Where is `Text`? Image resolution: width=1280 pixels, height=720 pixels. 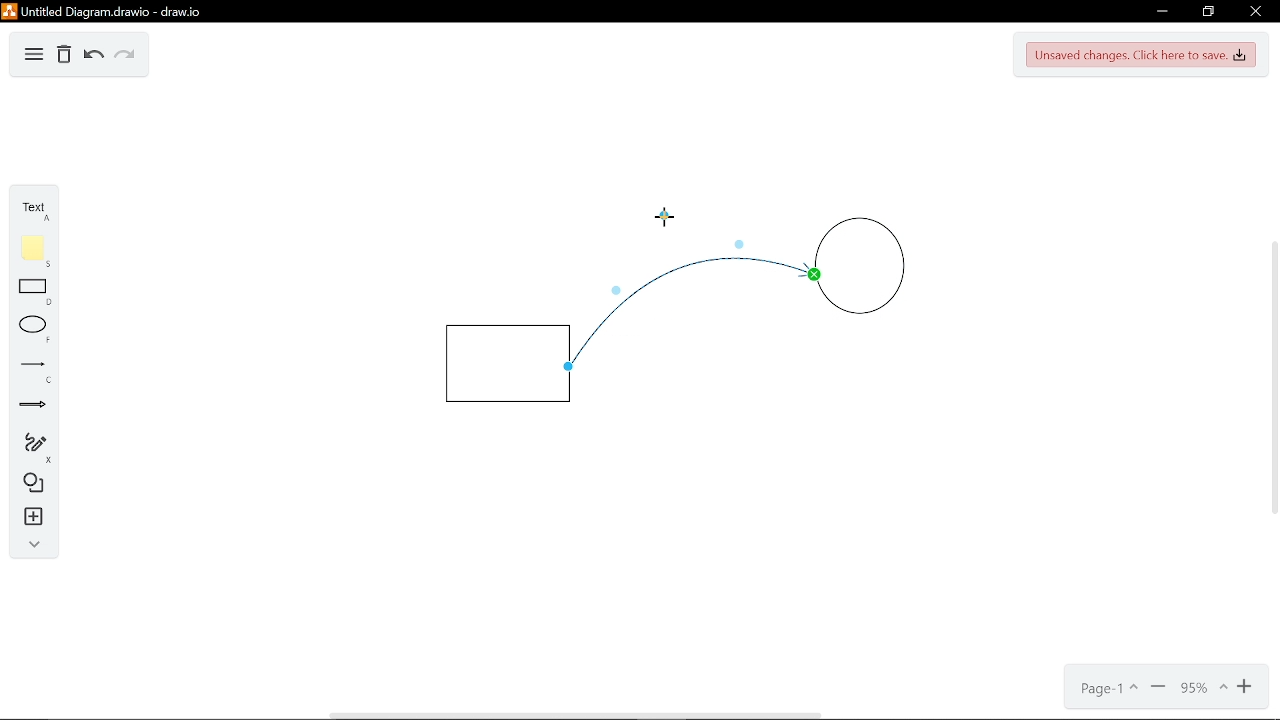 Text is located at coordinates (35, 210).